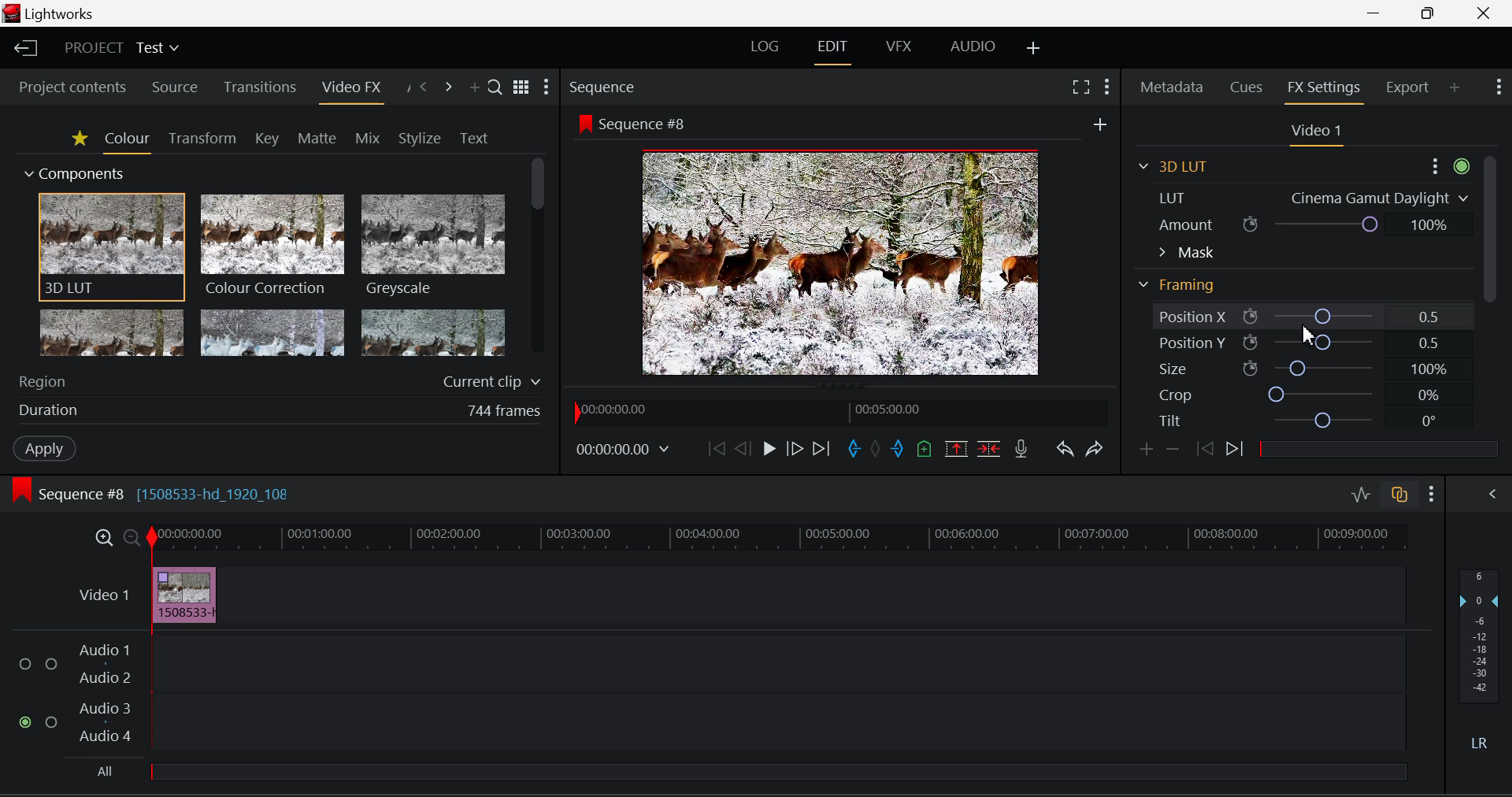 The height and width of the screenshot is (797, 1512). I want to click on Mark Cue, so click(923, 448).